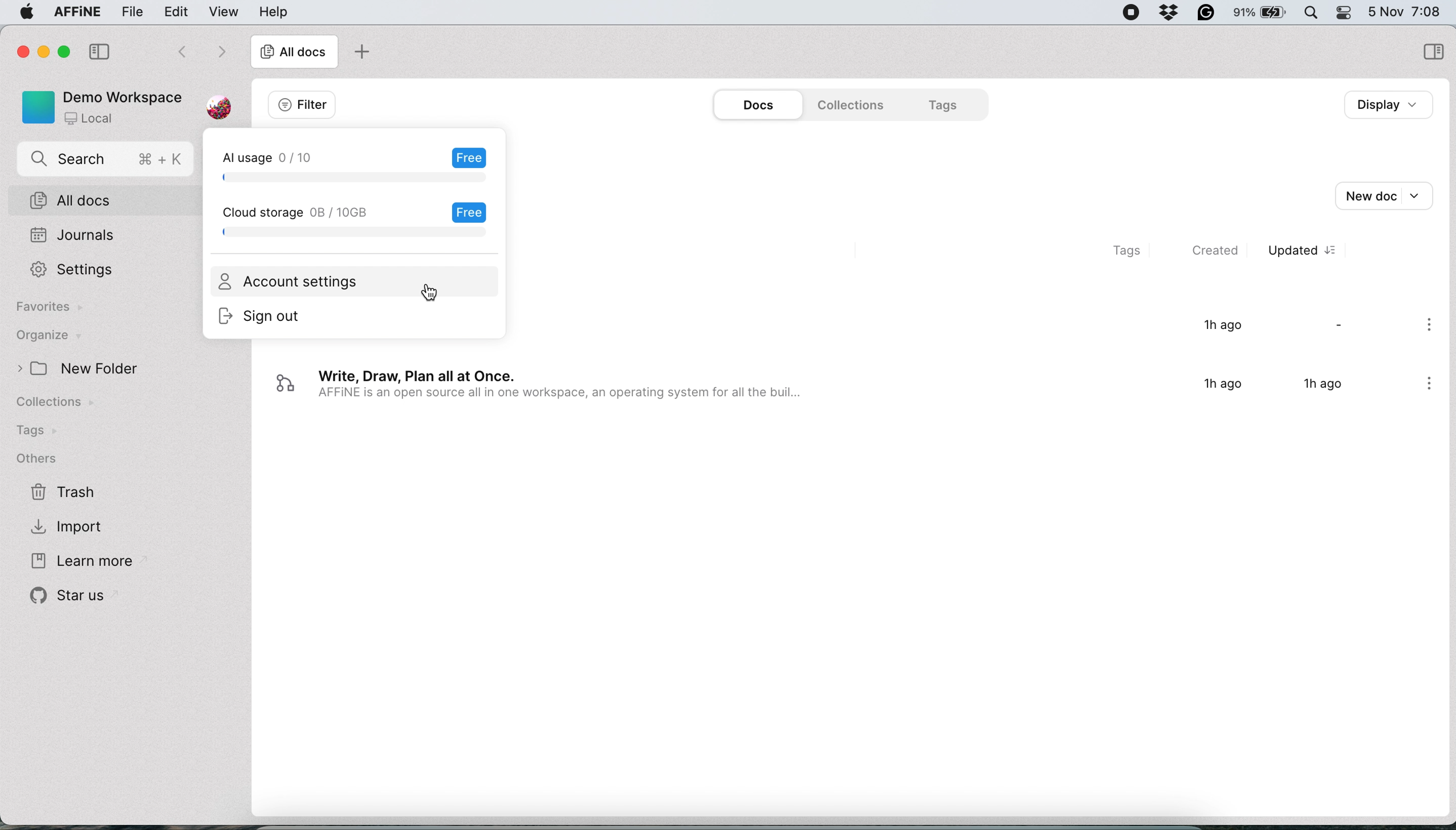 This screenshot has height=830, width=1456. Describe the element at coordinates (174, 50) in the screenshot. I see `switch tabs` at that location.